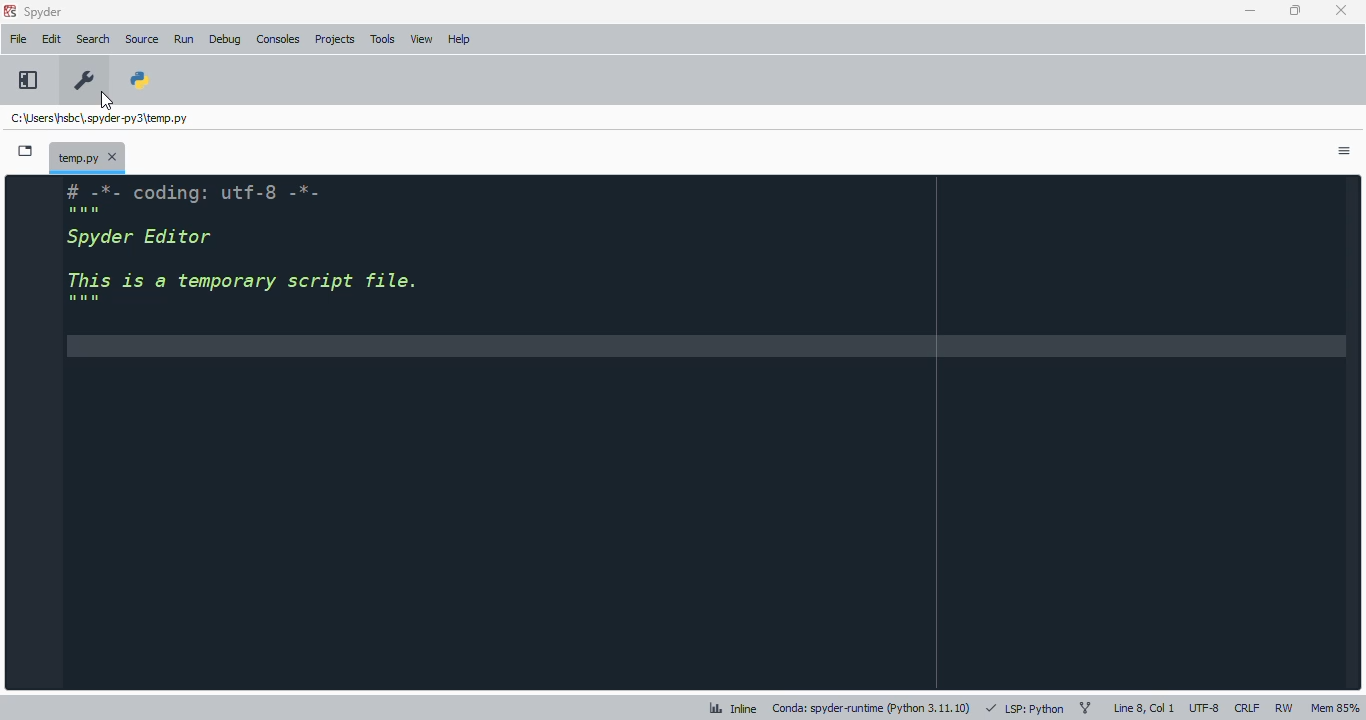 This screenshot has width=1366, height=720. Describe the element at coordinates (383, 40) in the screenshot. I see `tools` at that location.